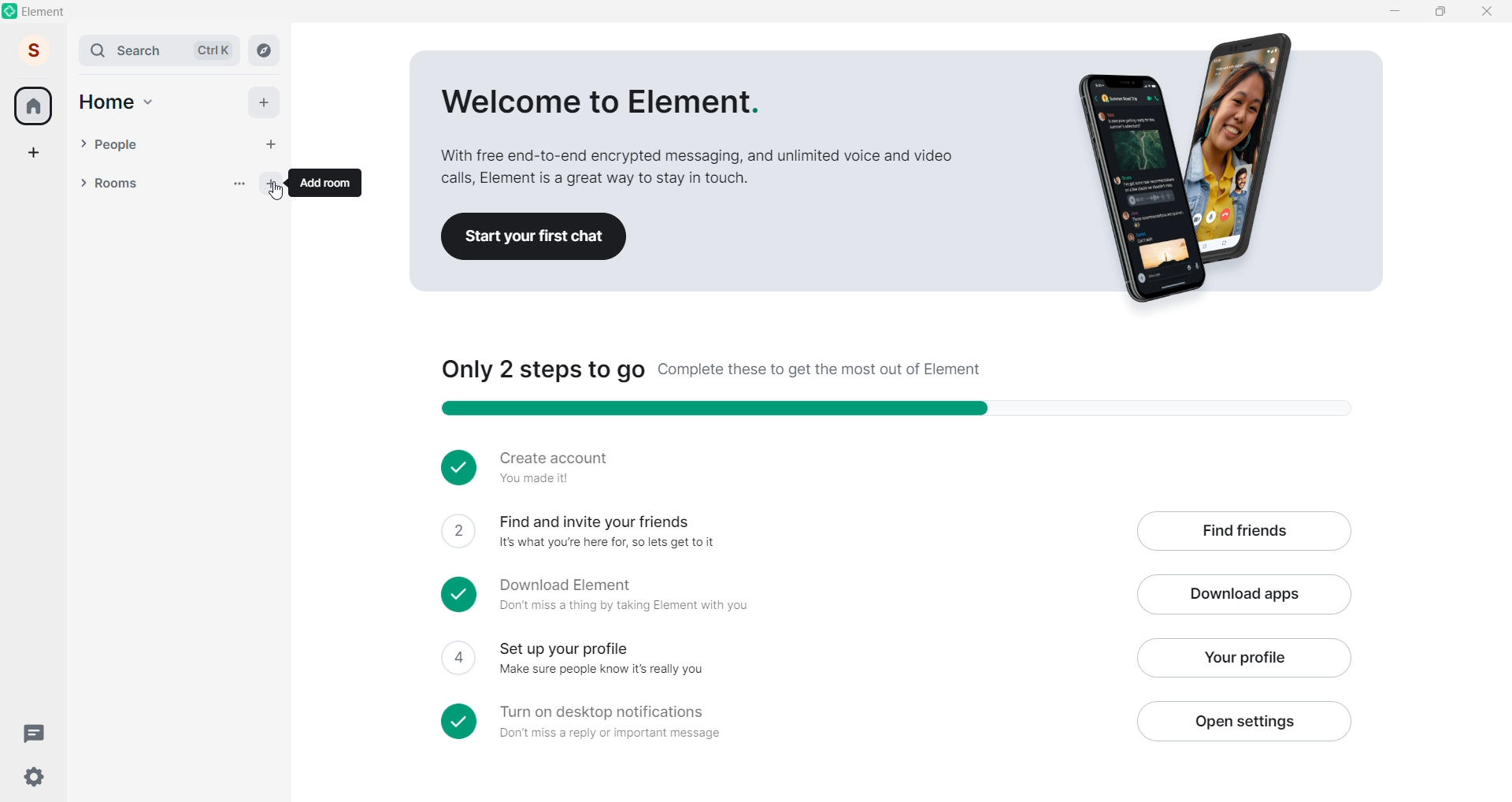 The image size is (1512, 802). What do you see at coordinates (83, 183) in the screenshot?
I see `Room Drop Down` at bounding box center [83, 183].